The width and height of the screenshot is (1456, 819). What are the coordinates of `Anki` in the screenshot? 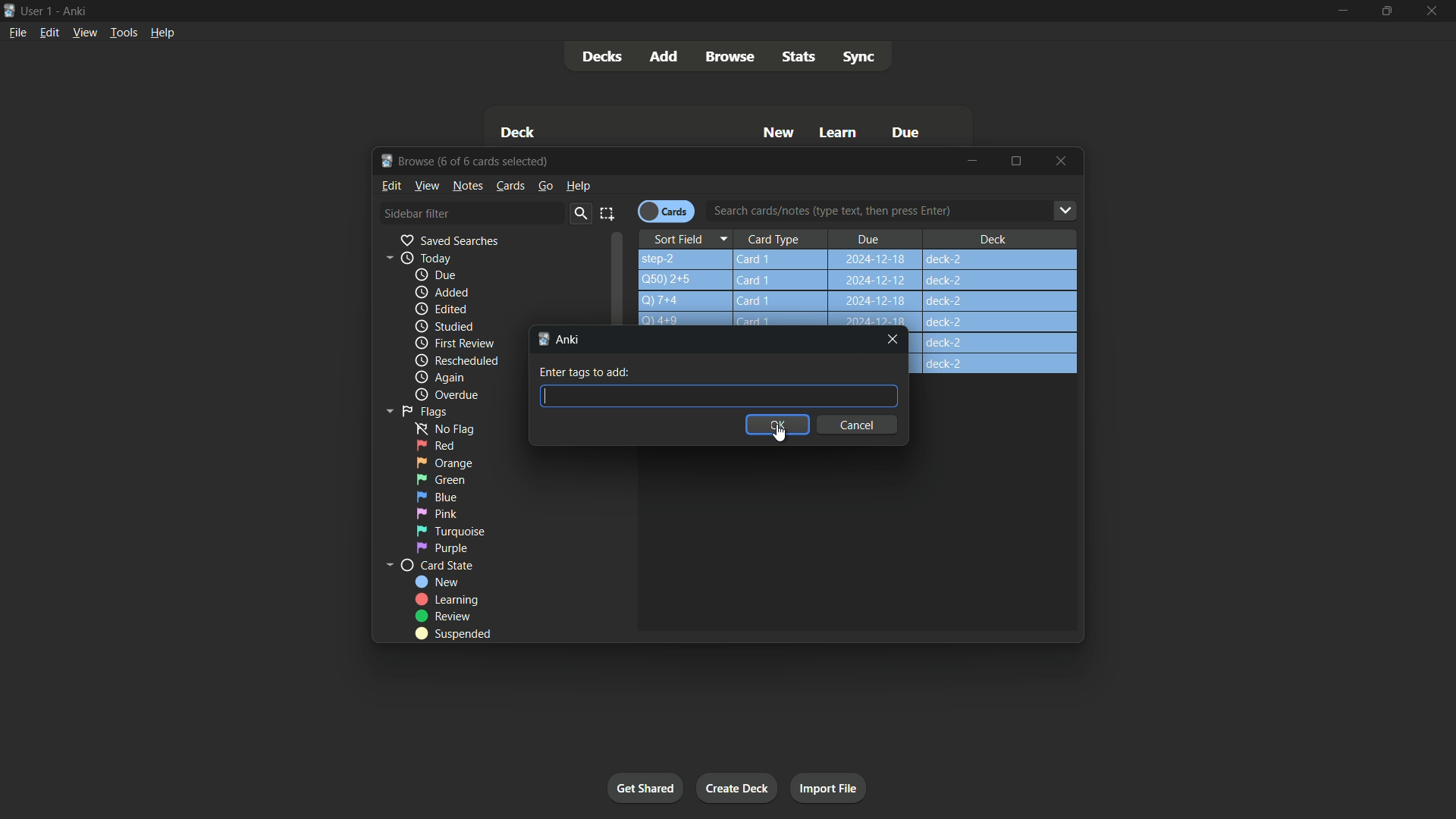 It's located at (561, 339).